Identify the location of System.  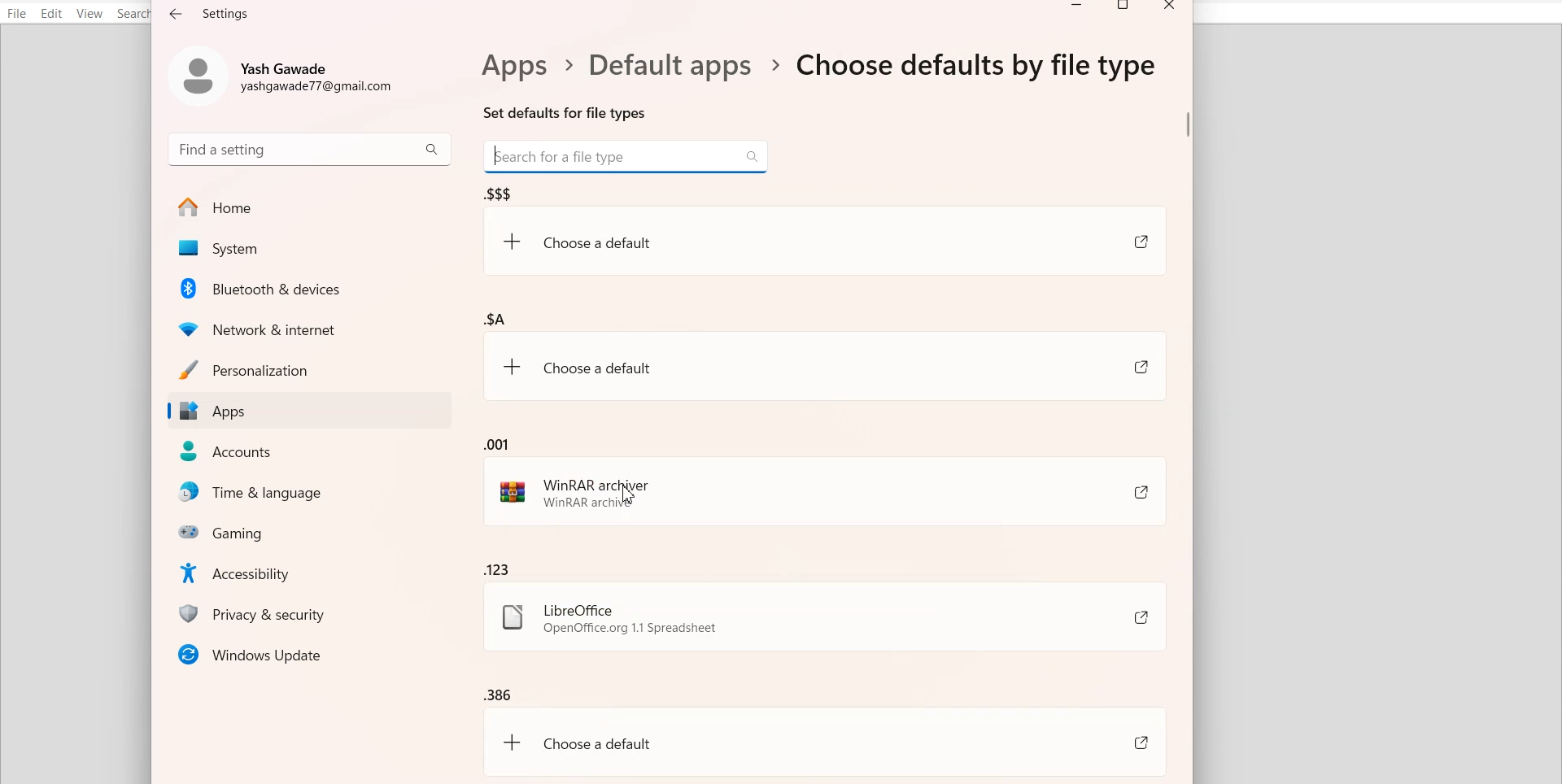
(308, 249).